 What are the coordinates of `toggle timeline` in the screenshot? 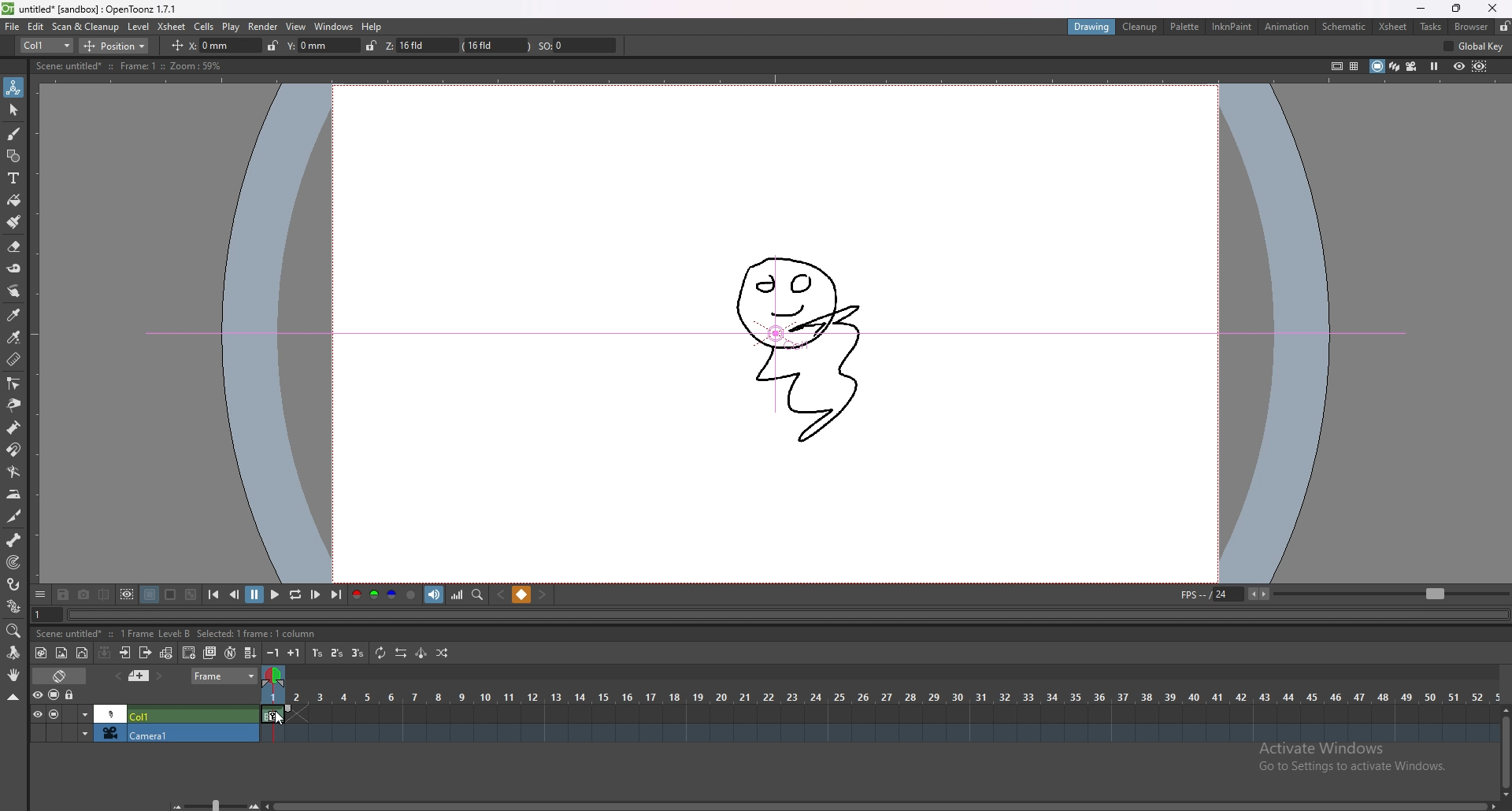 It's located at (59, 676).